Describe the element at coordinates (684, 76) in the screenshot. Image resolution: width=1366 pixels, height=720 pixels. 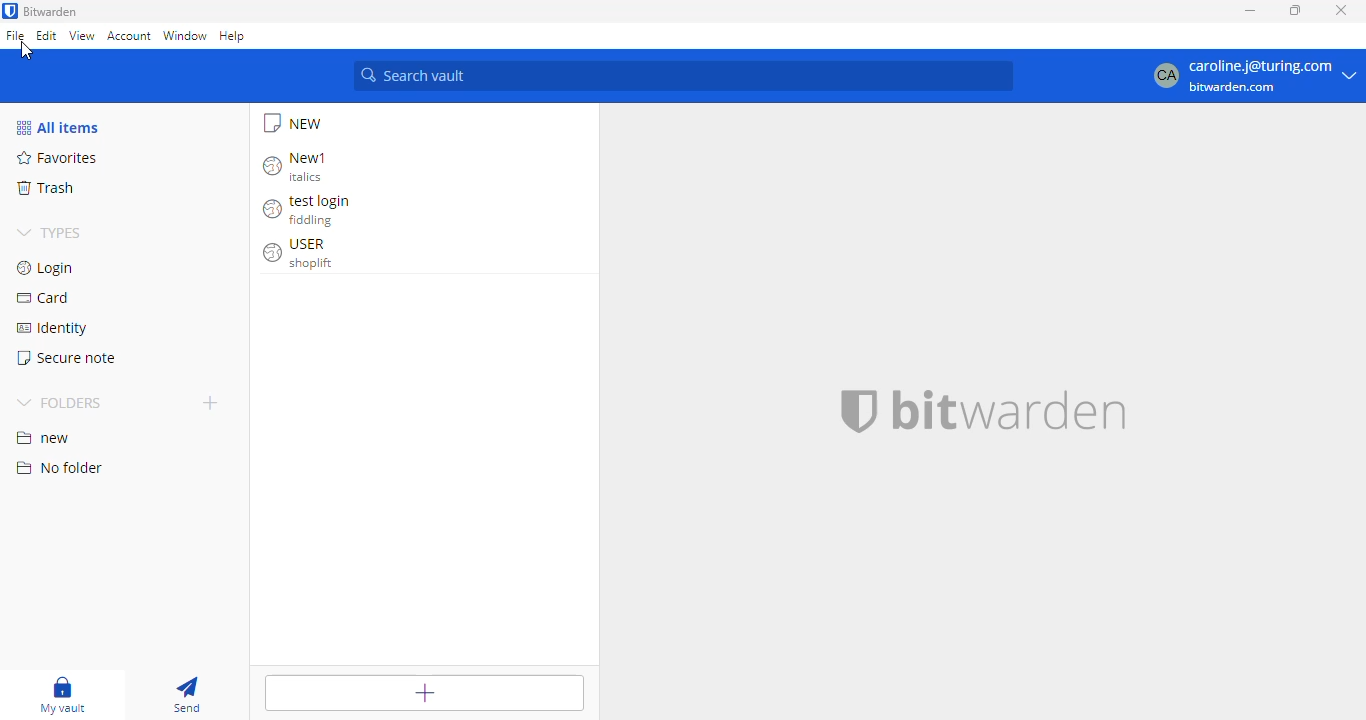
I see `search vault` at that location.